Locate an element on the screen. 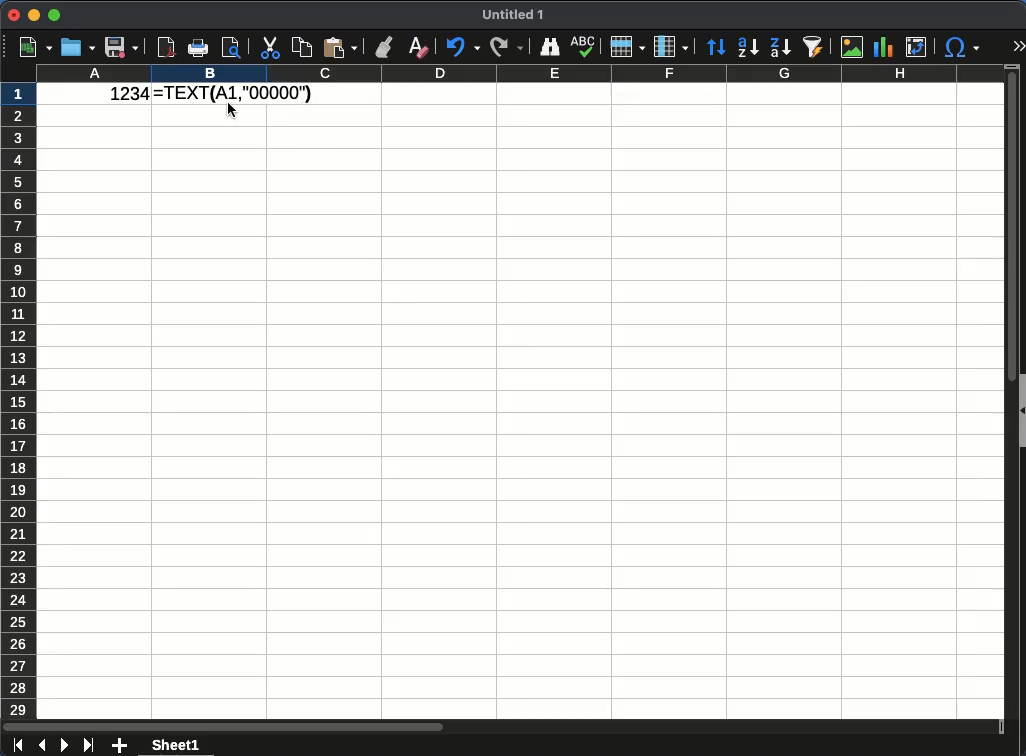 This screenshot has width=1026, height=756. special characters is located at coordinates (959, 47).